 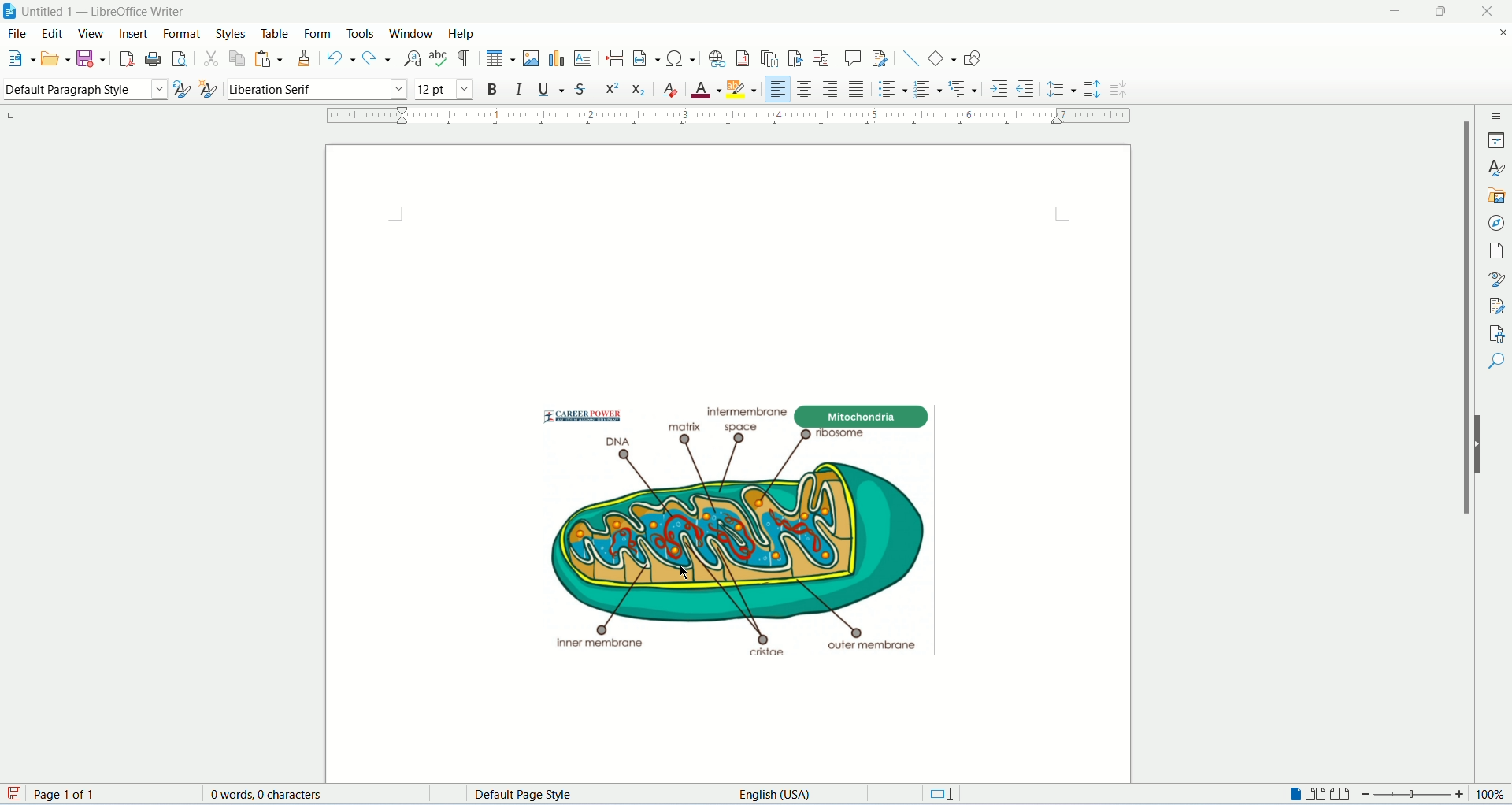 I want to click on single page view, so click(x=1293, y=796).